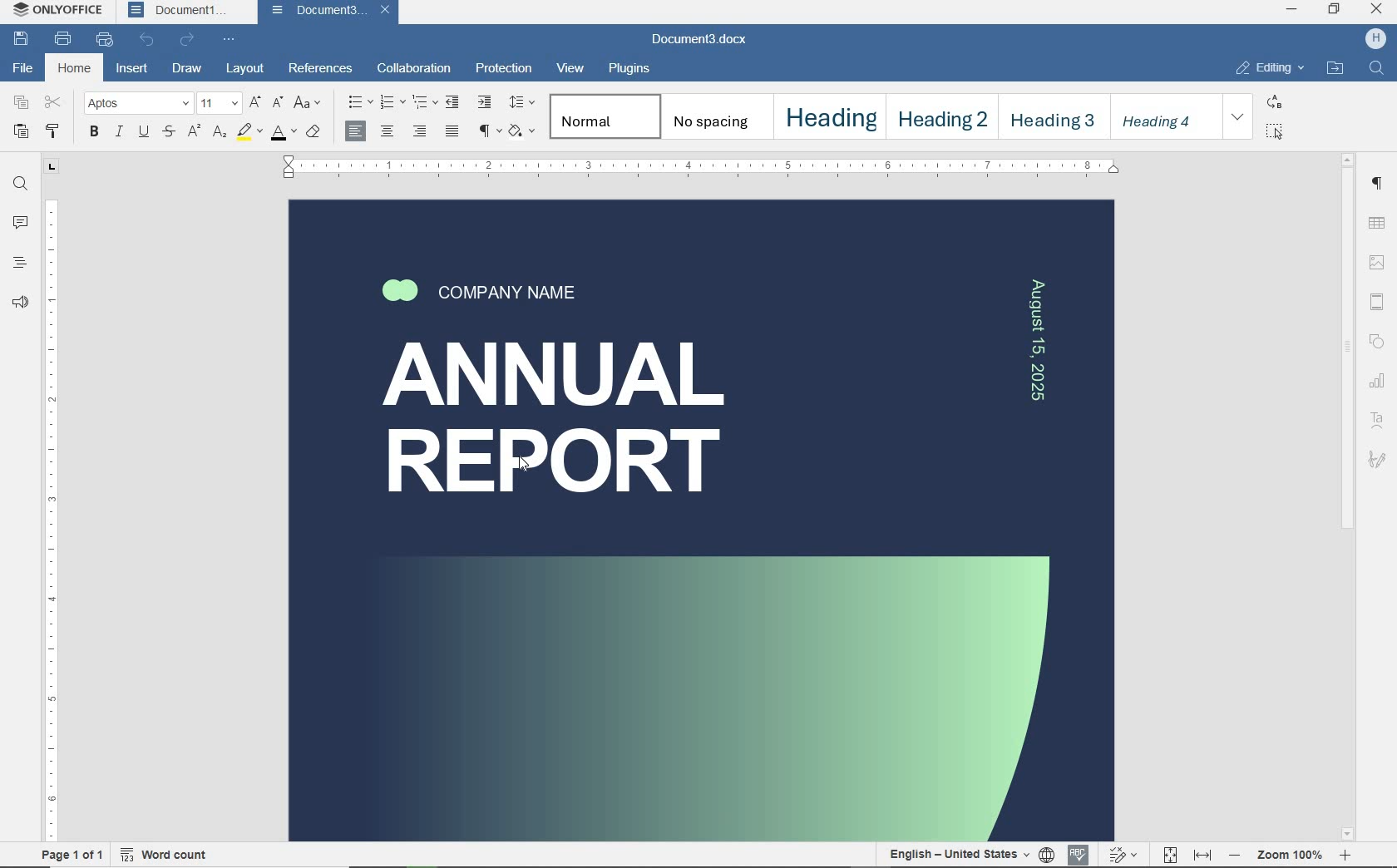 The width and height of the screenshot is (1397, 868). What do you see at coordinates (194, 131) in the screenshot?
I see `superscript` at bounding box center [194, 131].